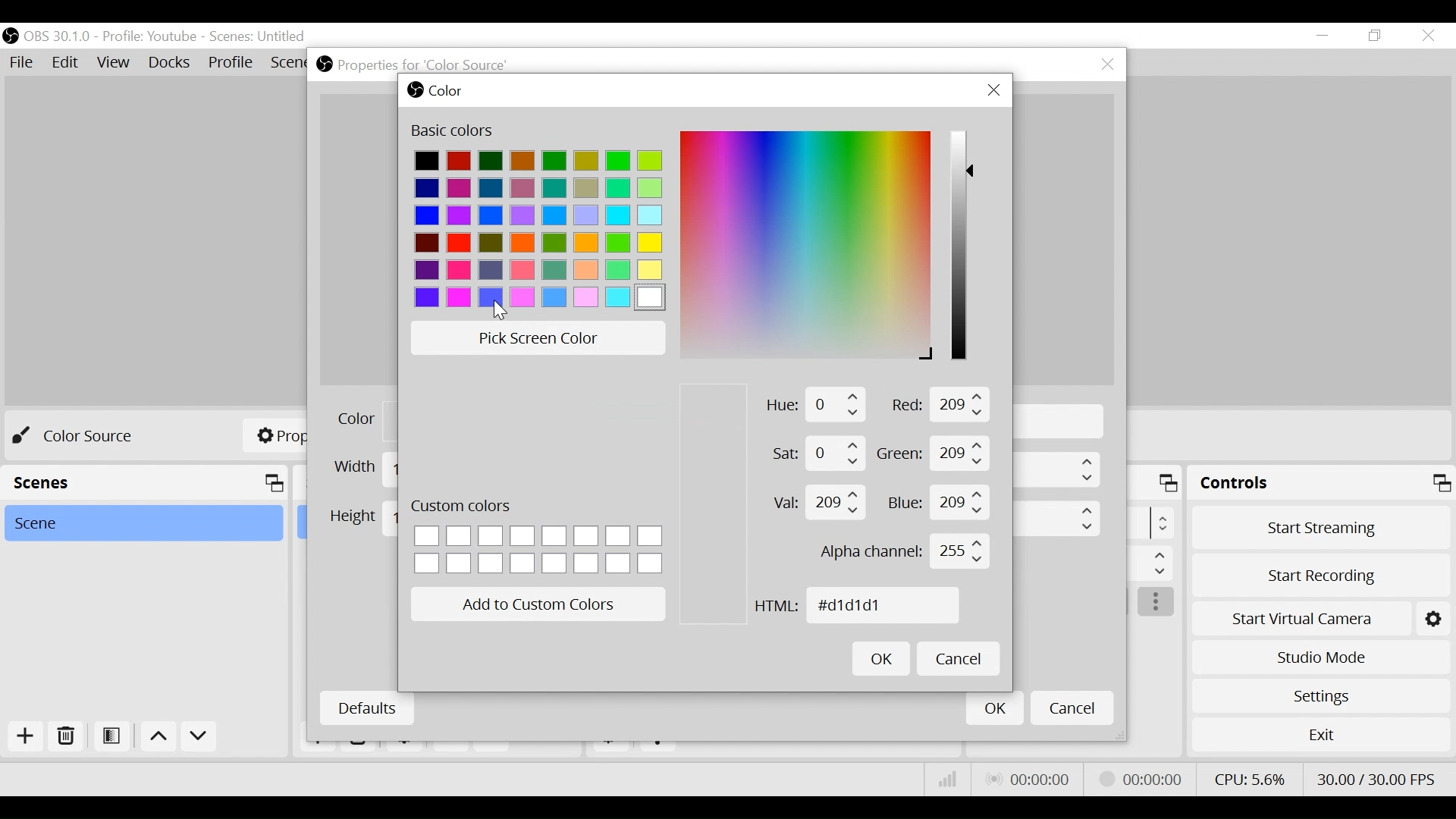 This screenshot has width=1456, height=819. Describe the element at coordinates (1141, 779) in the screenshot. I see `Streaming Status` at that location.